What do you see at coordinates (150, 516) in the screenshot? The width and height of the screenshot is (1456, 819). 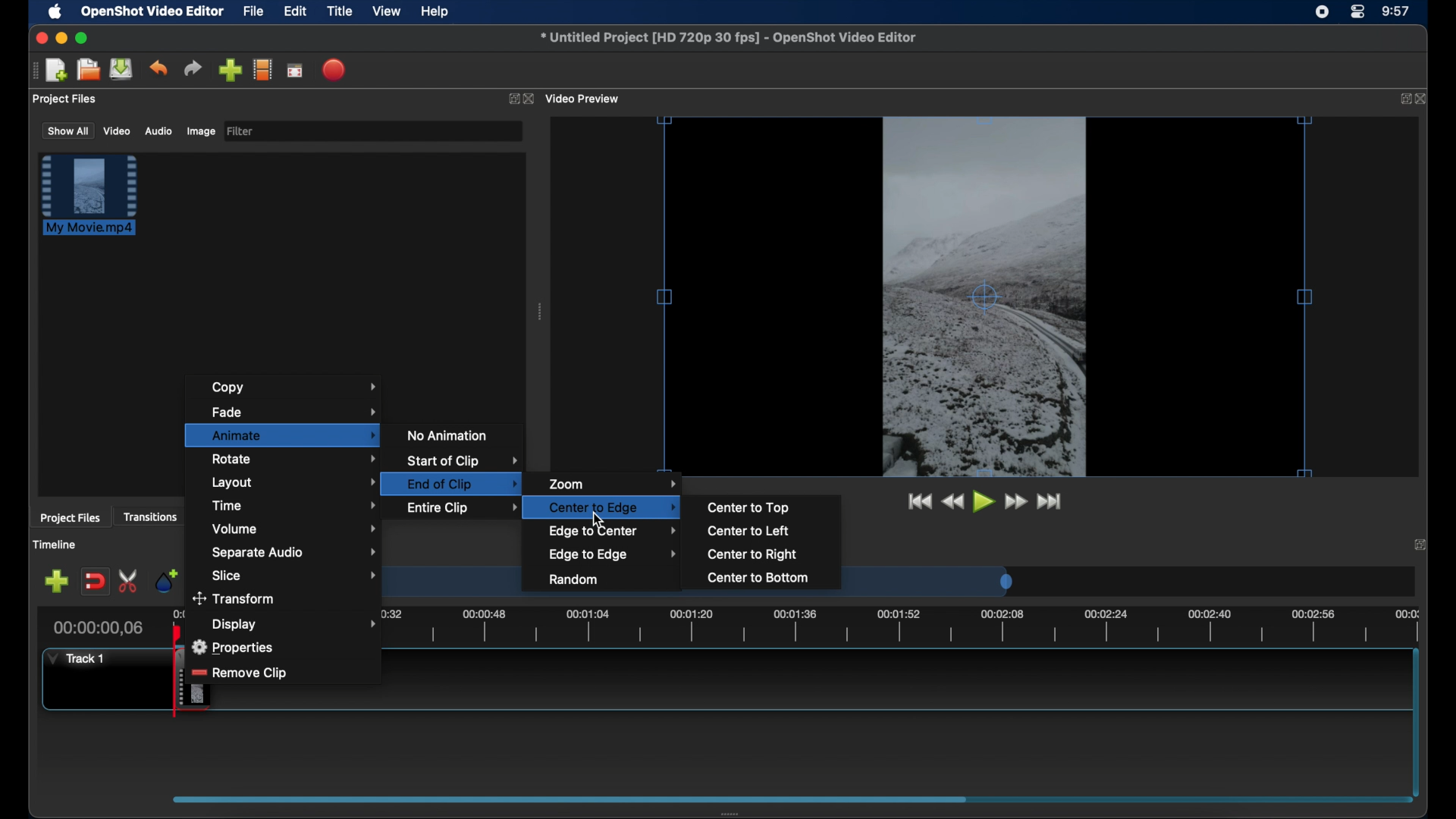 I see `transitions` at bounding box center [150, 516].